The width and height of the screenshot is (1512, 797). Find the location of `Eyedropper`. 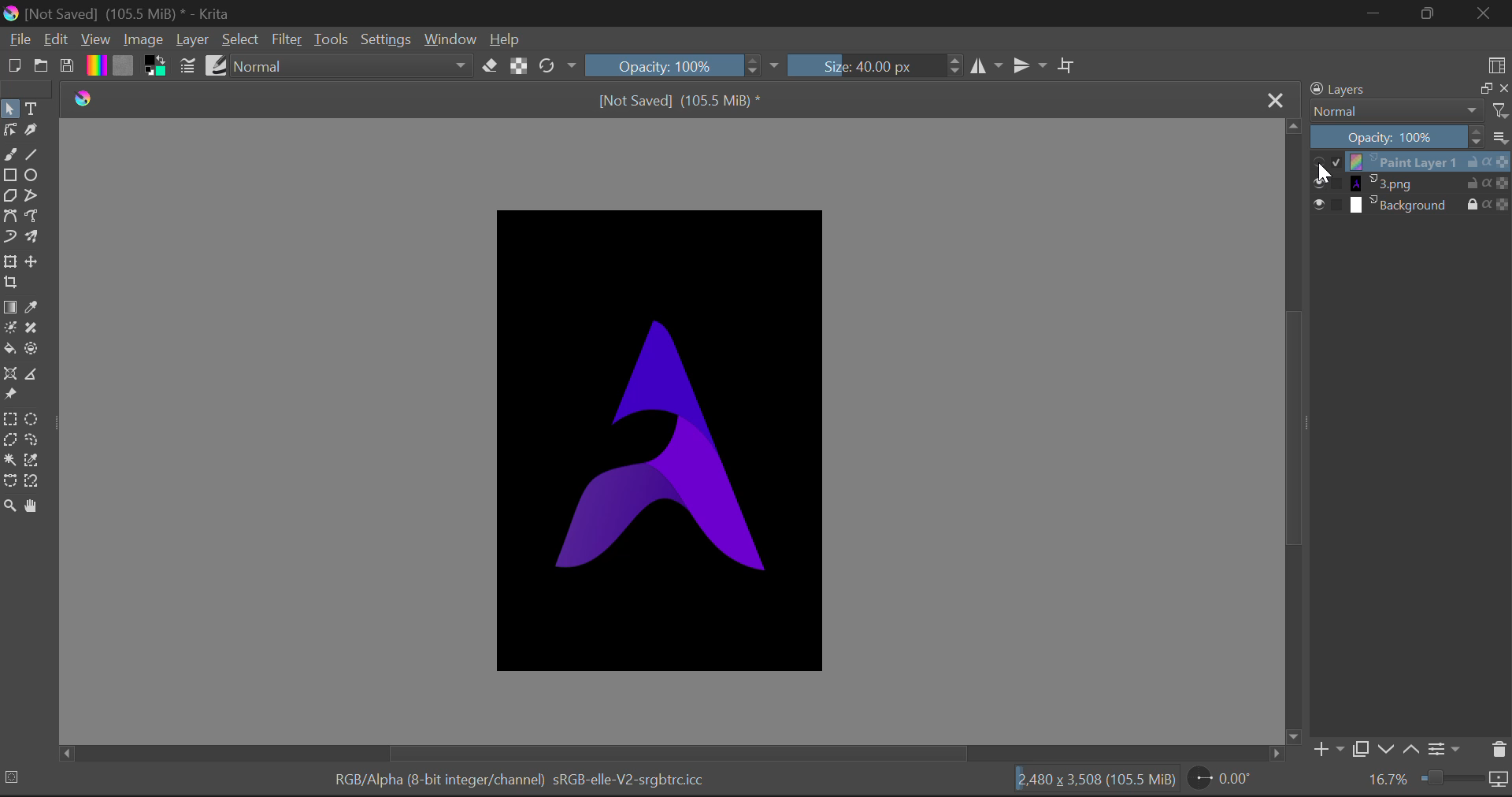

Eyedropper is located at coordinates (35, 307).